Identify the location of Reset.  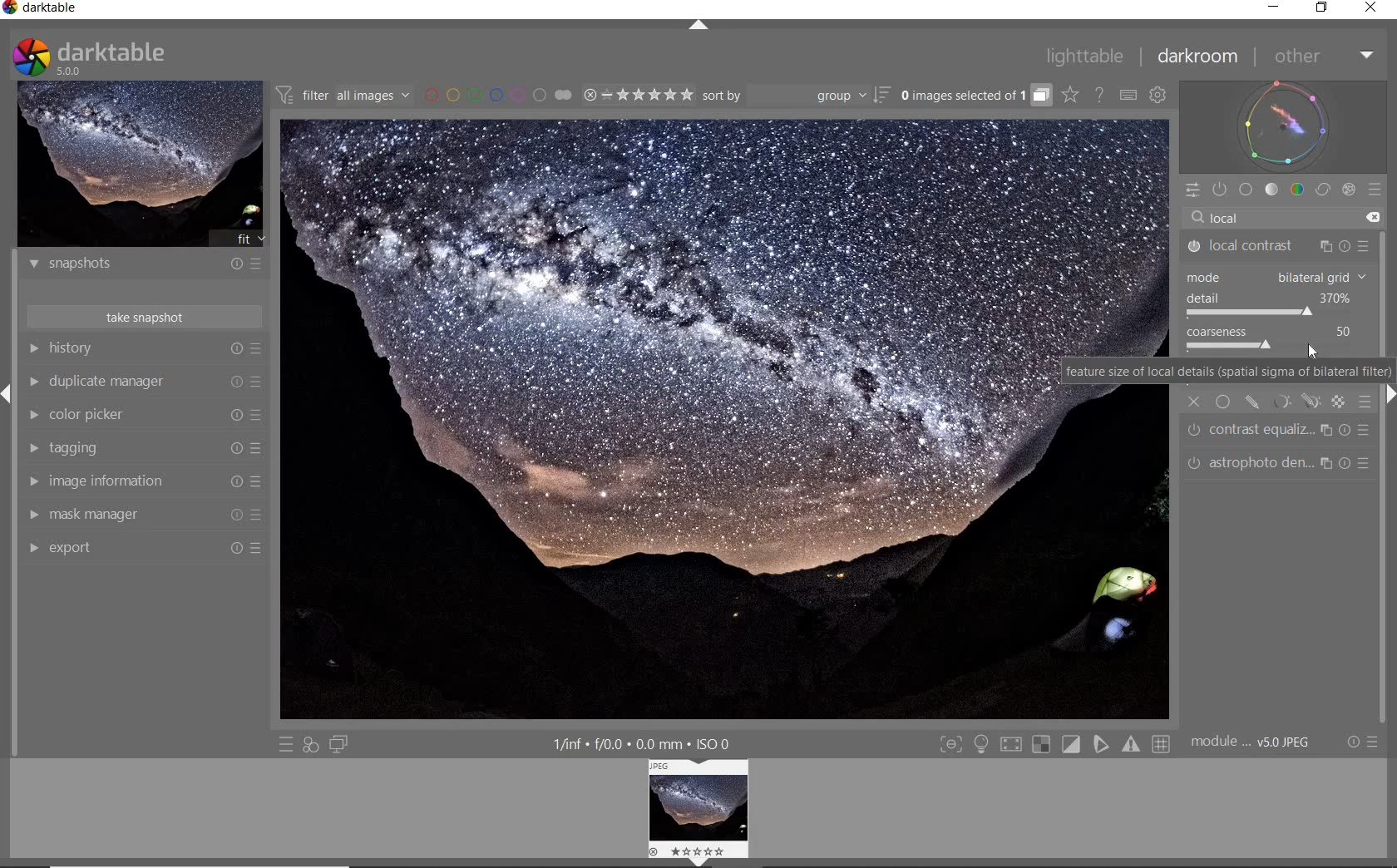
(233, 548).